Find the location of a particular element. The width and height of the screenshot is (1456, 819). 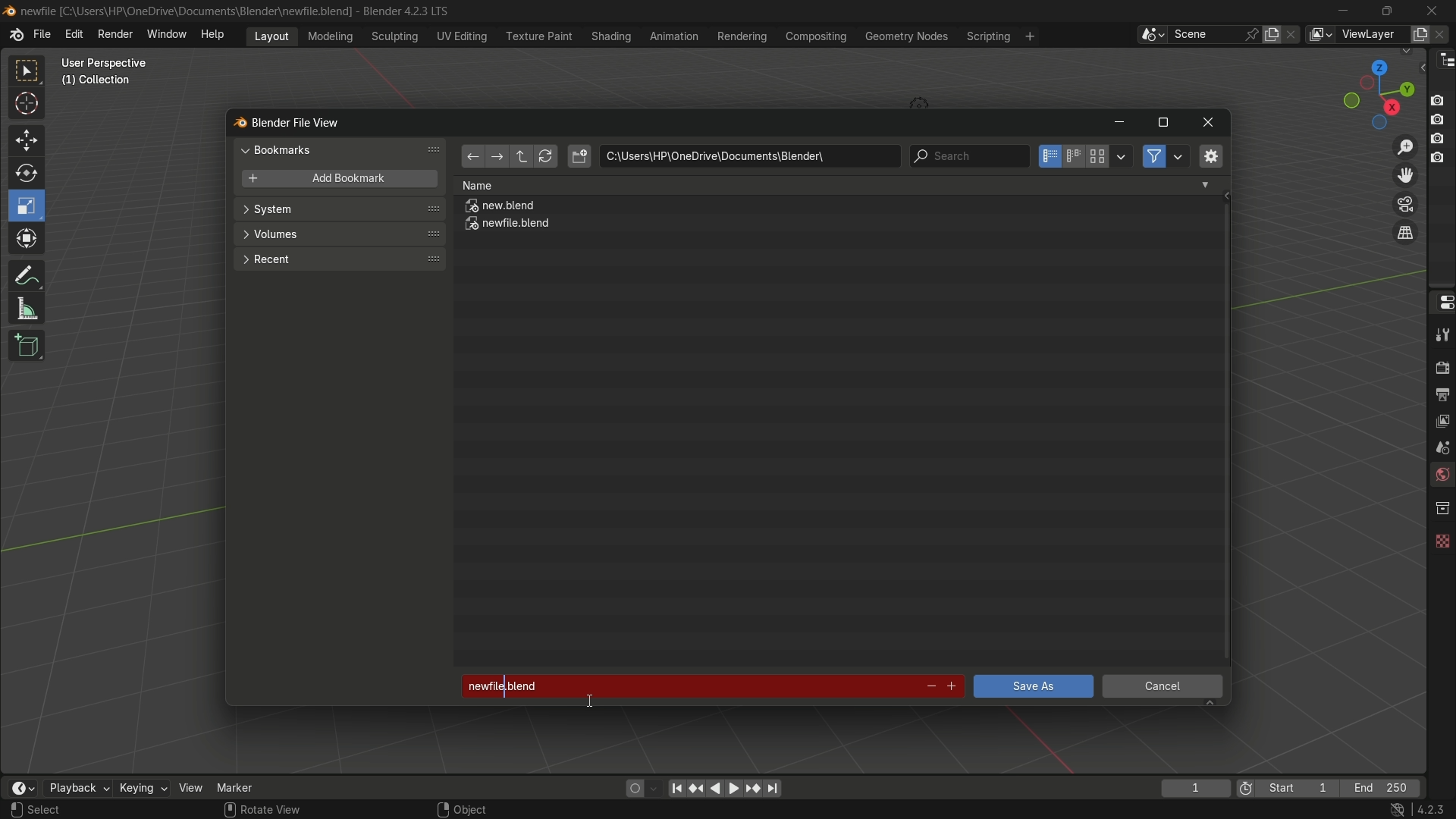

new scene is located at coordinates (1275, 34).